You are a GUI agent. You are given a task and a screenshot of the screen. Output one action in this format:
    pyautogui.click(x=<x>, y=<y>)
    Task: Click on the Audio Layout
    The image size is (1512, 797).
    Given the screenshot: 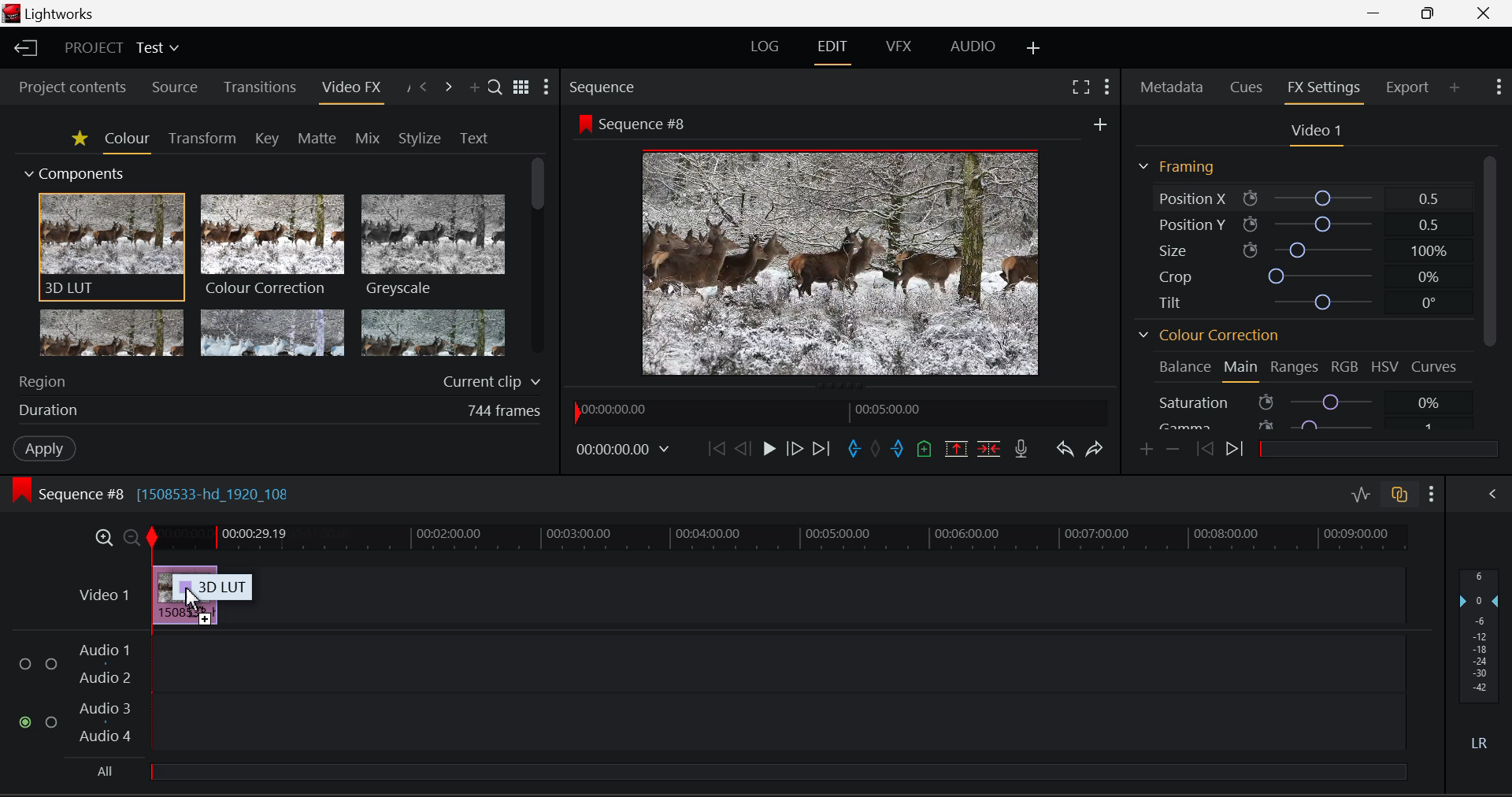 What is the action you would take?
    pyautogui.click(x=970, y=47)
    